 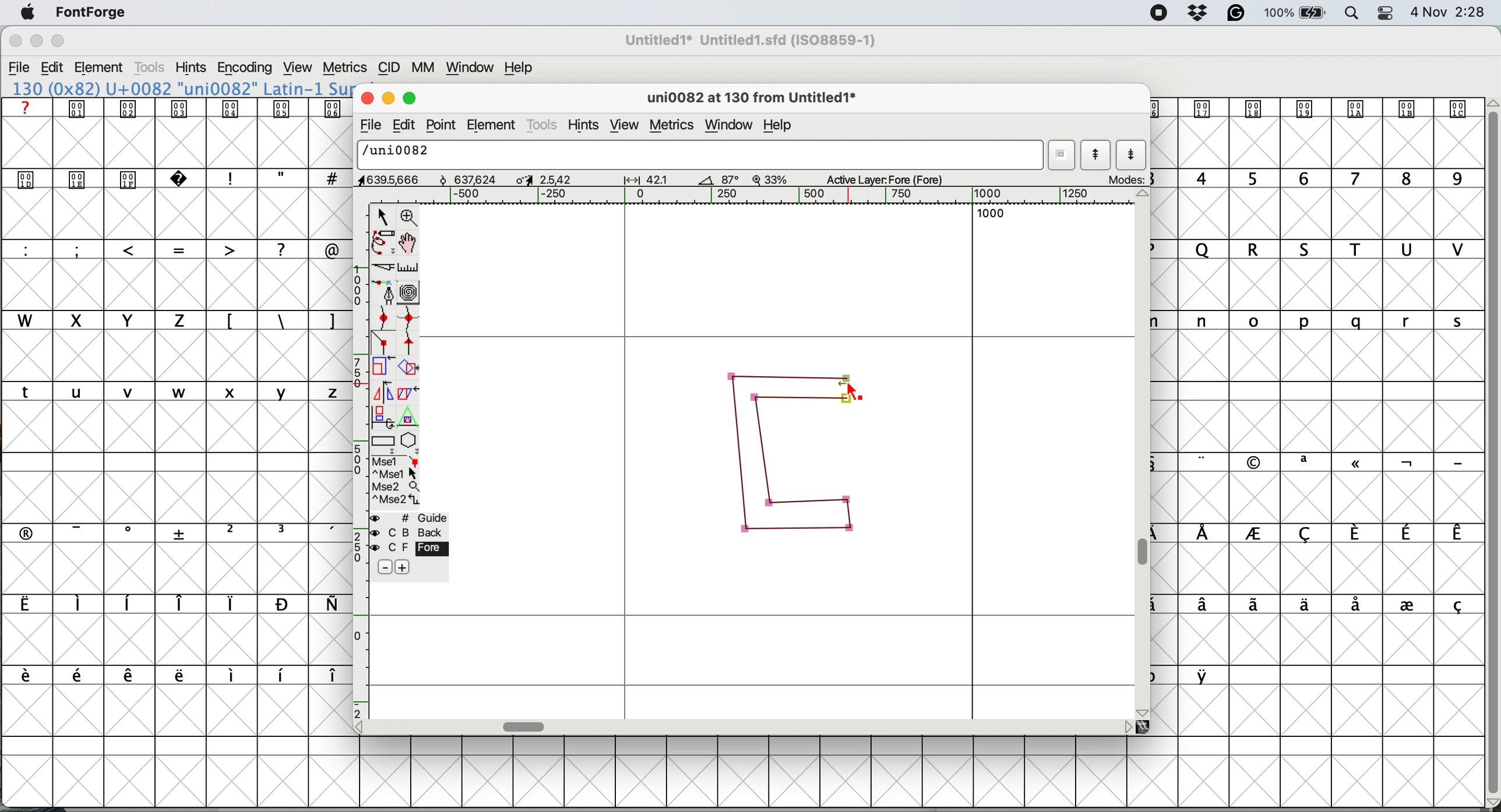 What do you see at coordinates (281, 322) in the screenshot?
I see `symbols` at bounding box center [281, 322].